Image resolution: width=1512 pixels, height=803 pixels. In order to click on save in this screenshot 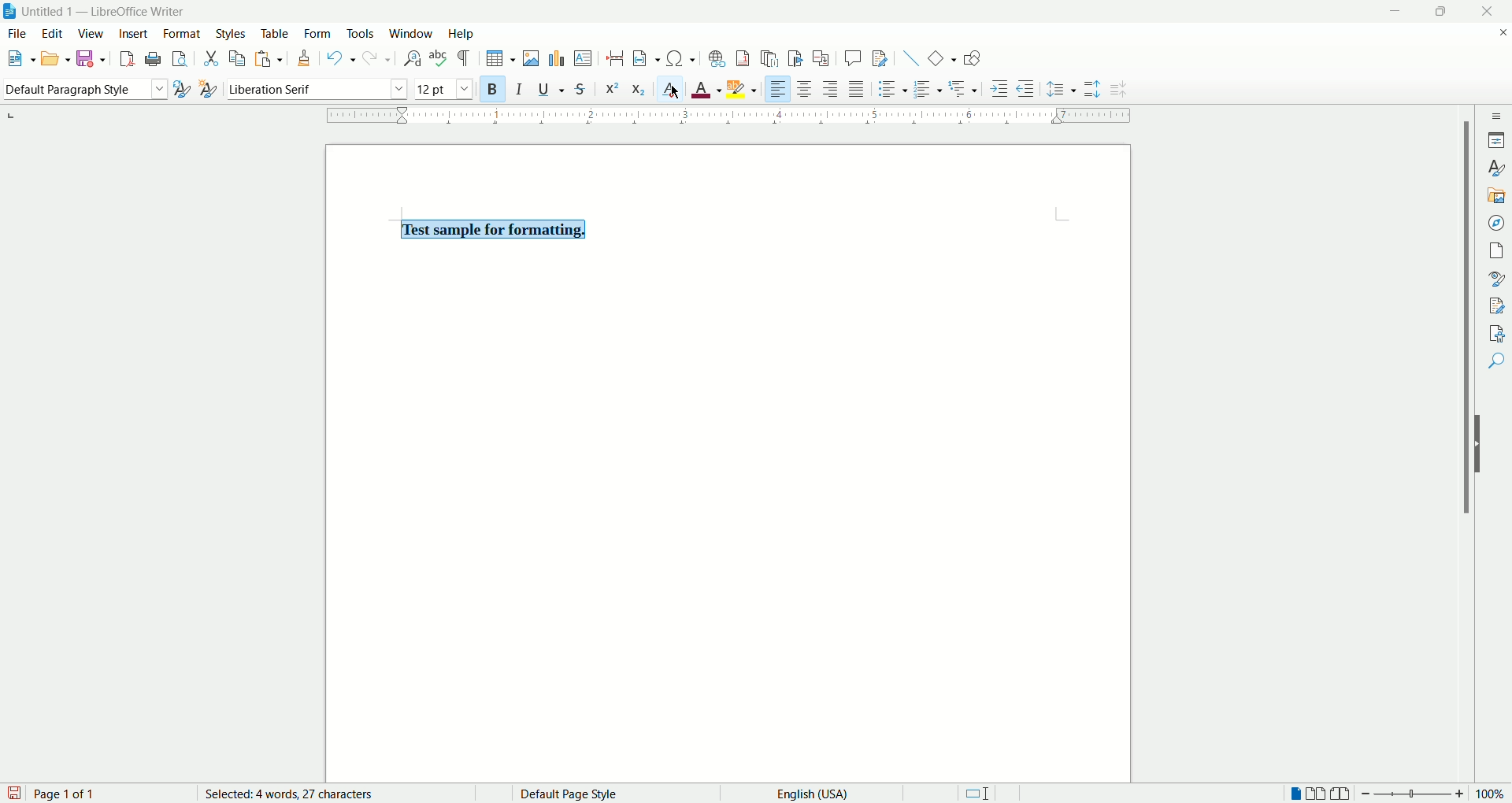, I will do `click(91, 60)`.